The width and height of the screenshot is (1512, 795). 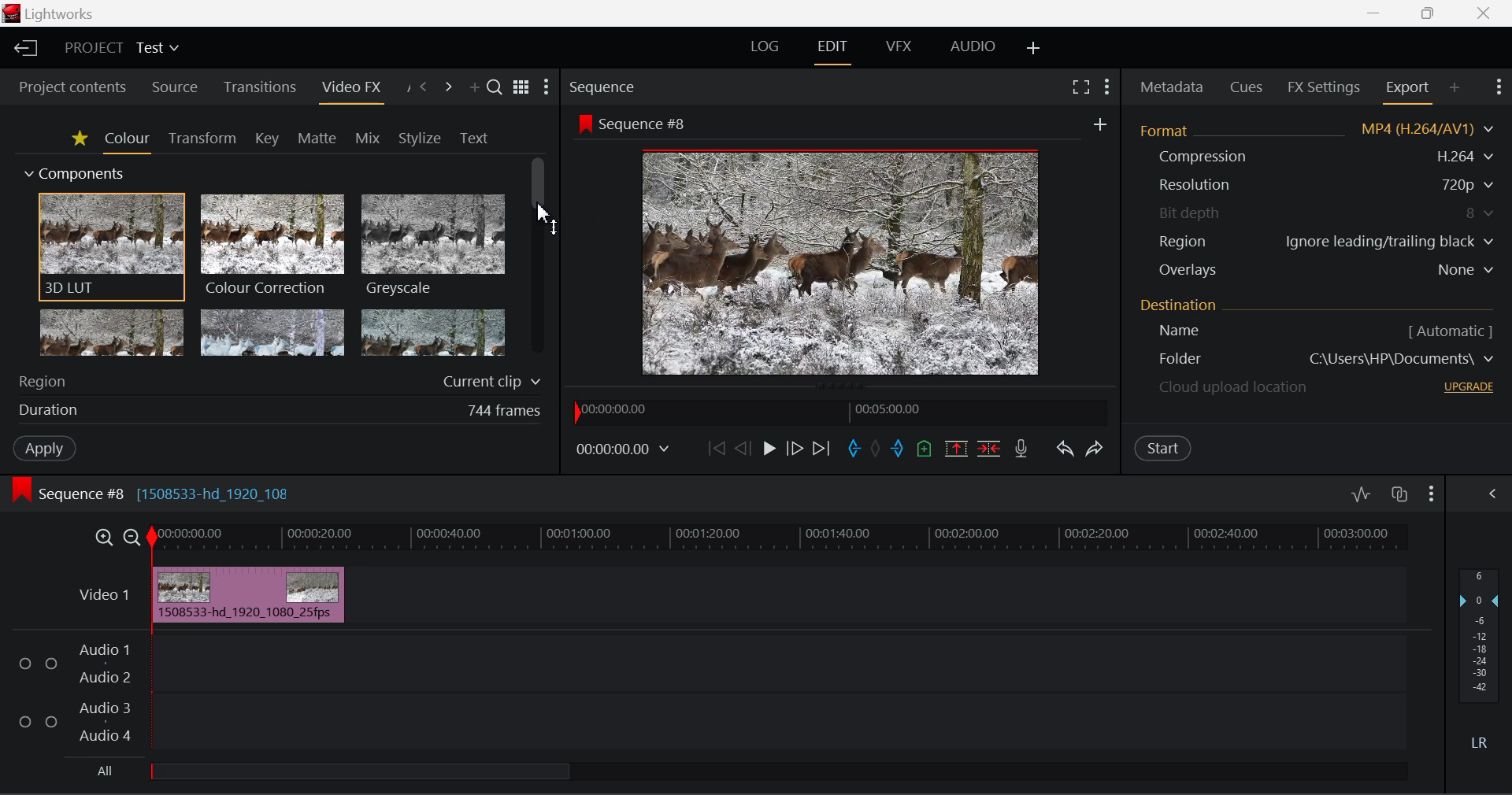 I want to click on 3D LUT, so click(x=112, y=248).